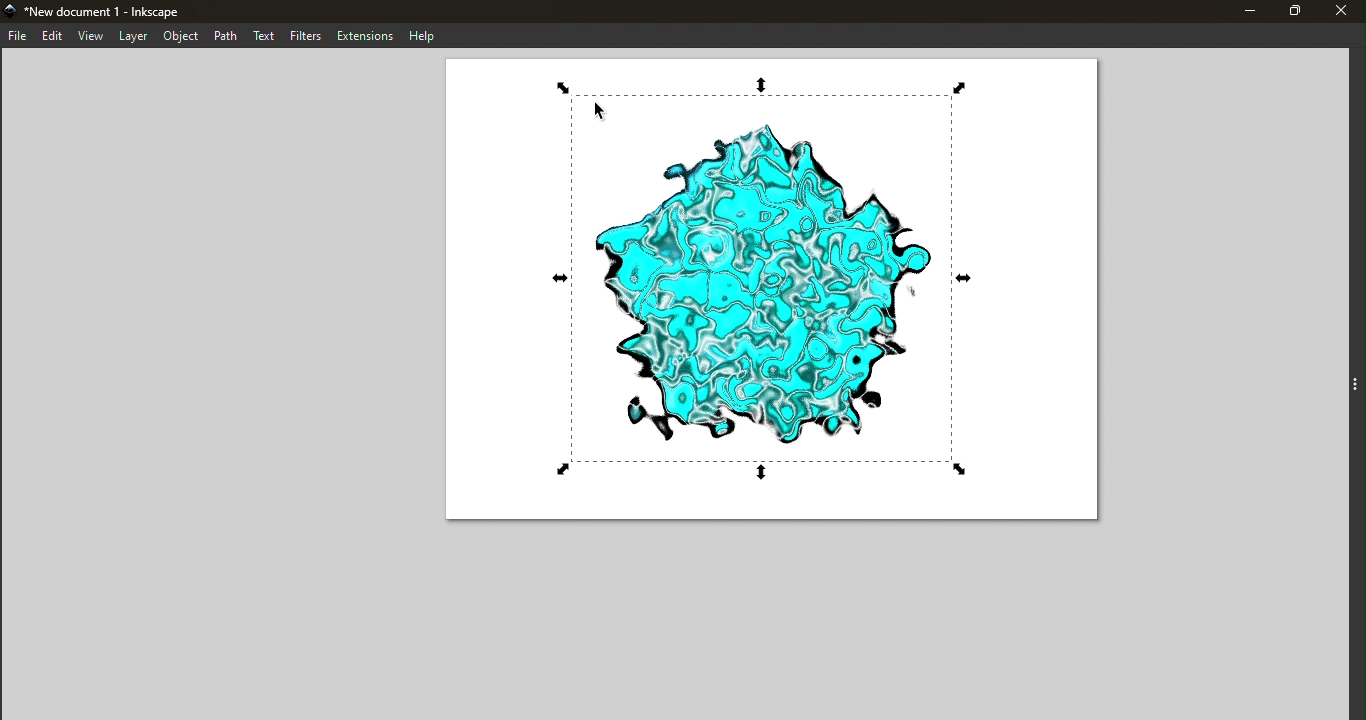 This screenshot has height=720, width=1366. Describe the element at coordinates (225, 35) in the screenshot. I see `Path` at that location.